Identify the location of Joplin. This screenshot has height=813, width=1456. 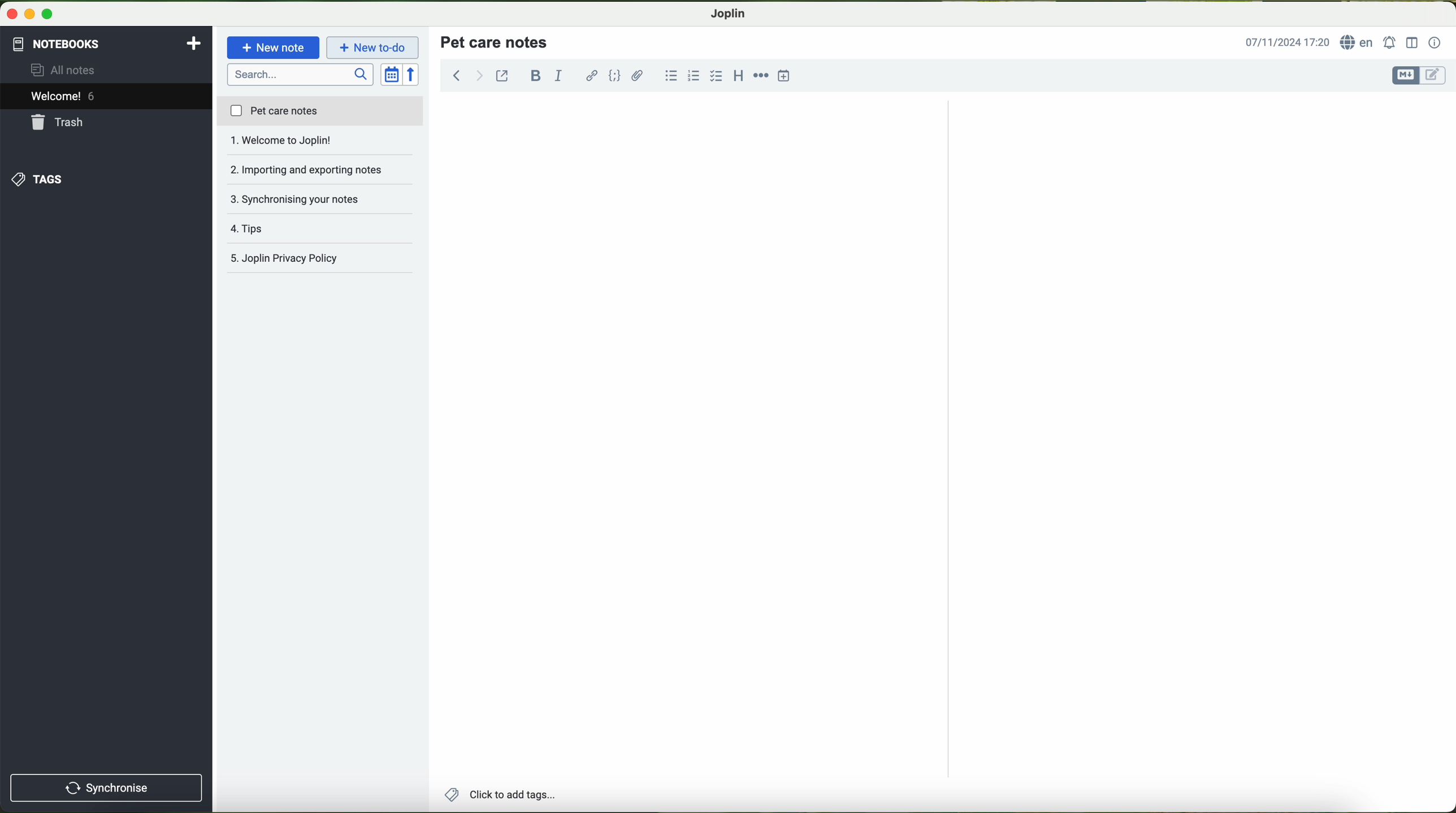
(729, 12).